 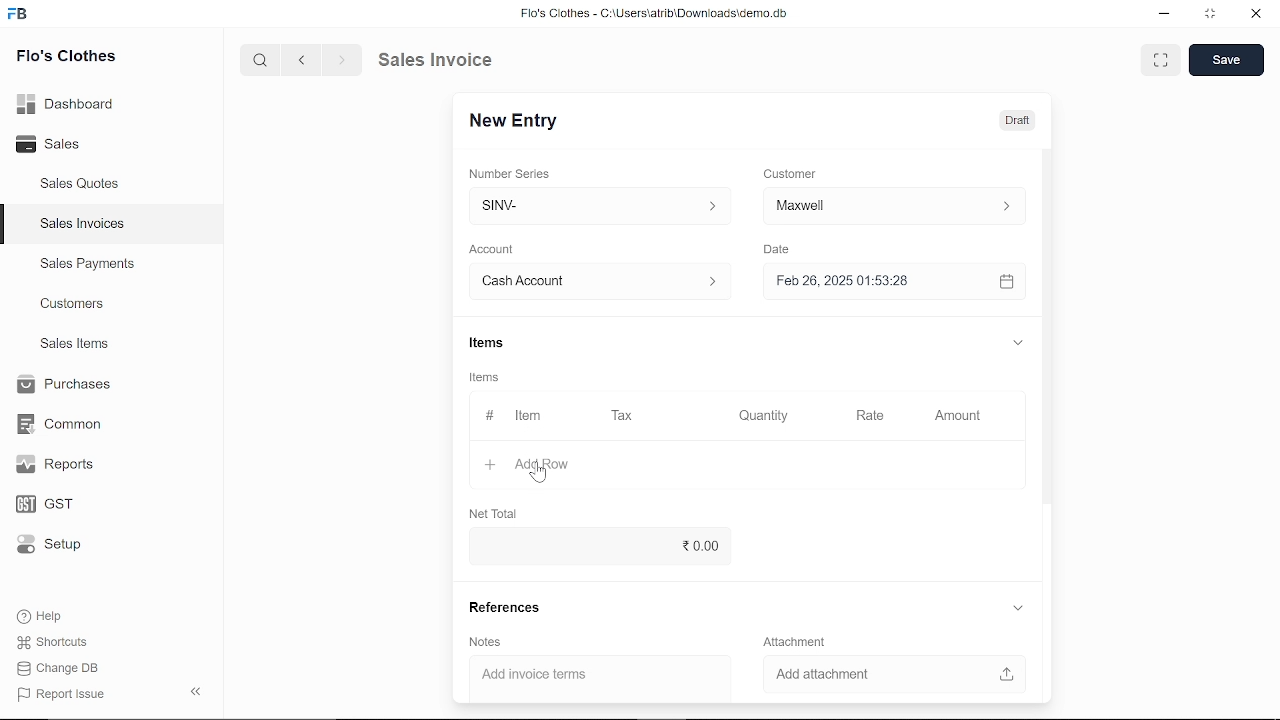 I want to click on Customer, so click(x=894, y=205).